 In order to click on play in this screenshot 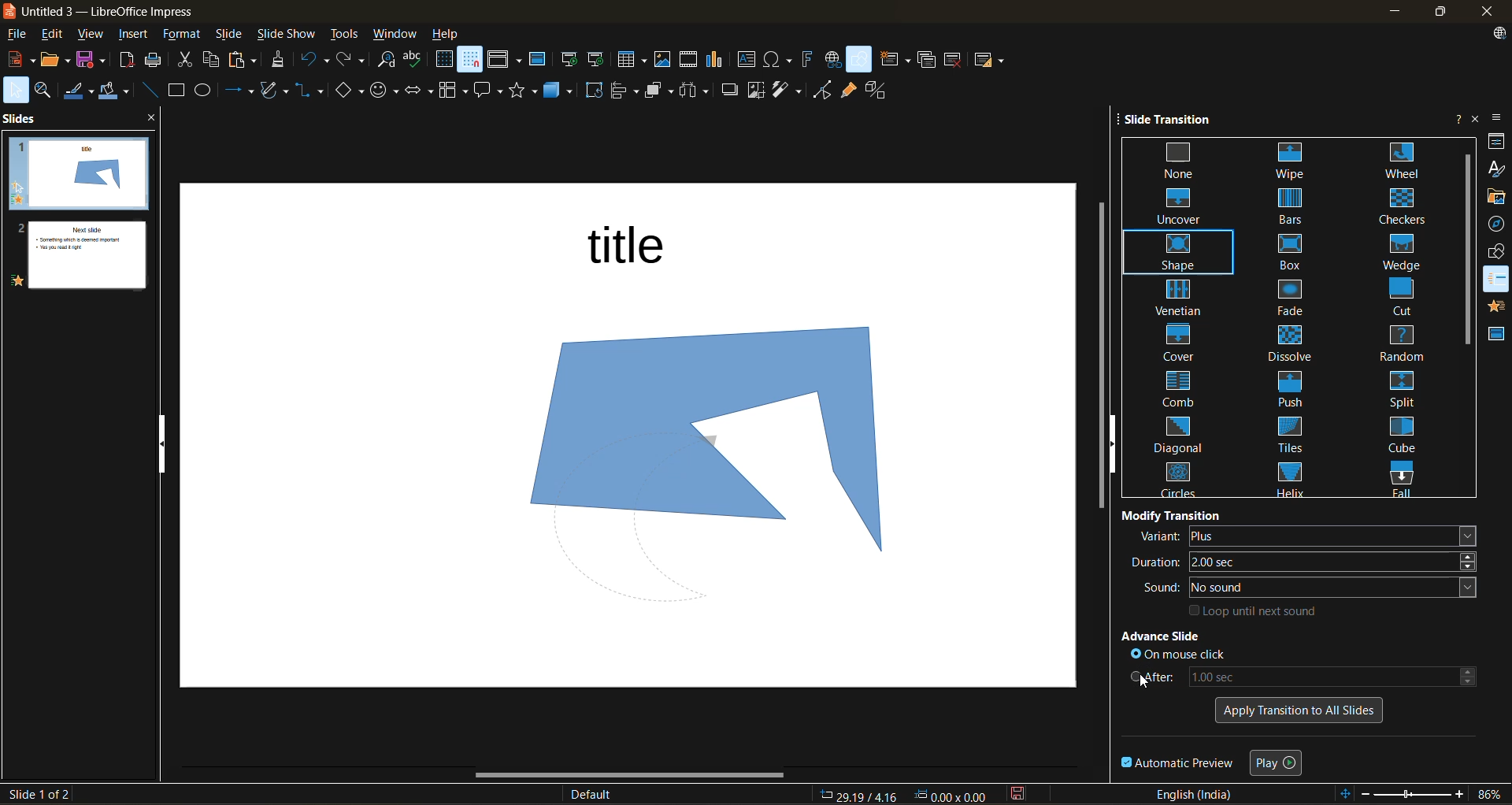, I will do `click(1279, 761)`.